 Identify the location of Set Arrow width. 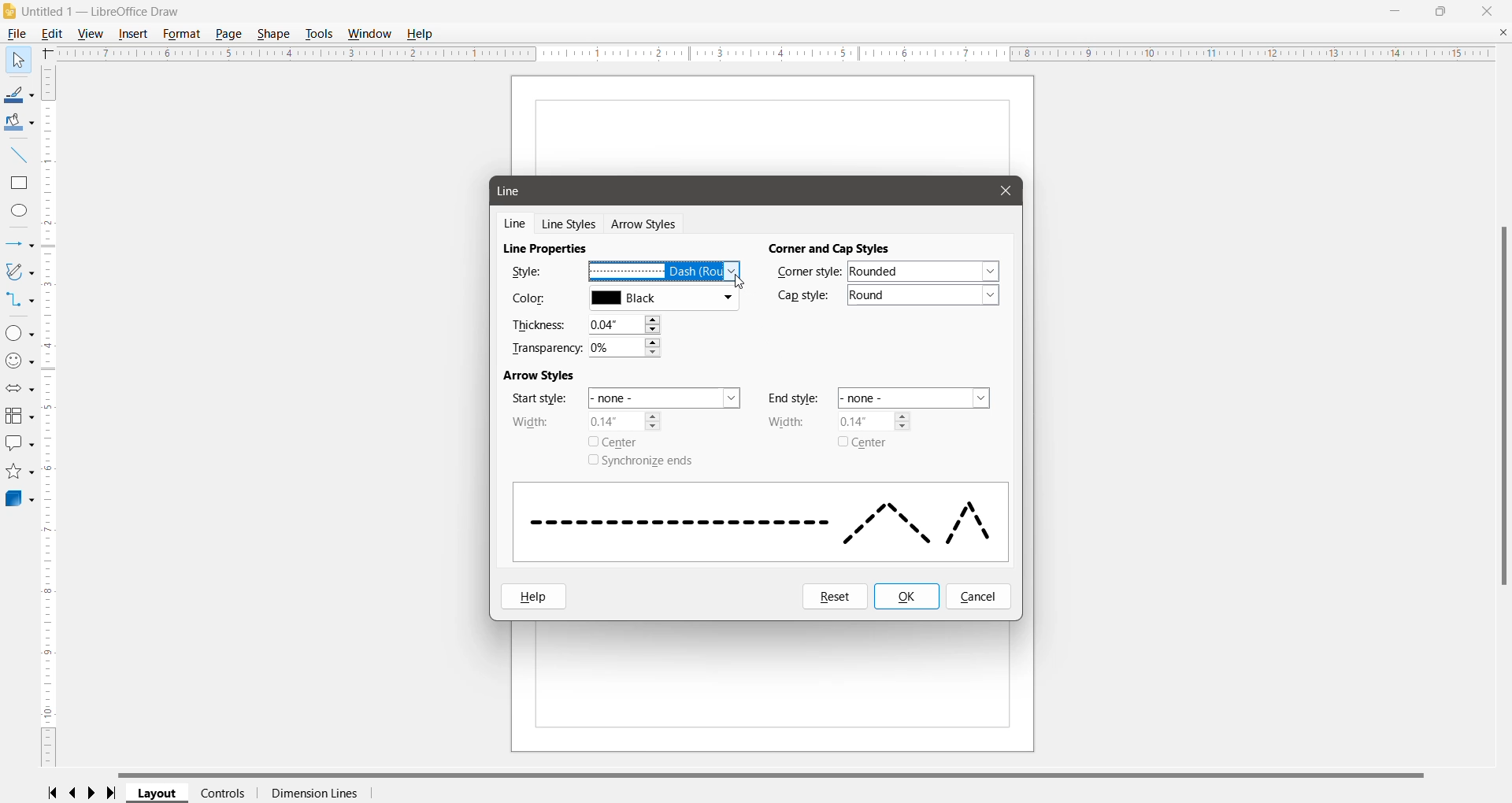
(623, 422).